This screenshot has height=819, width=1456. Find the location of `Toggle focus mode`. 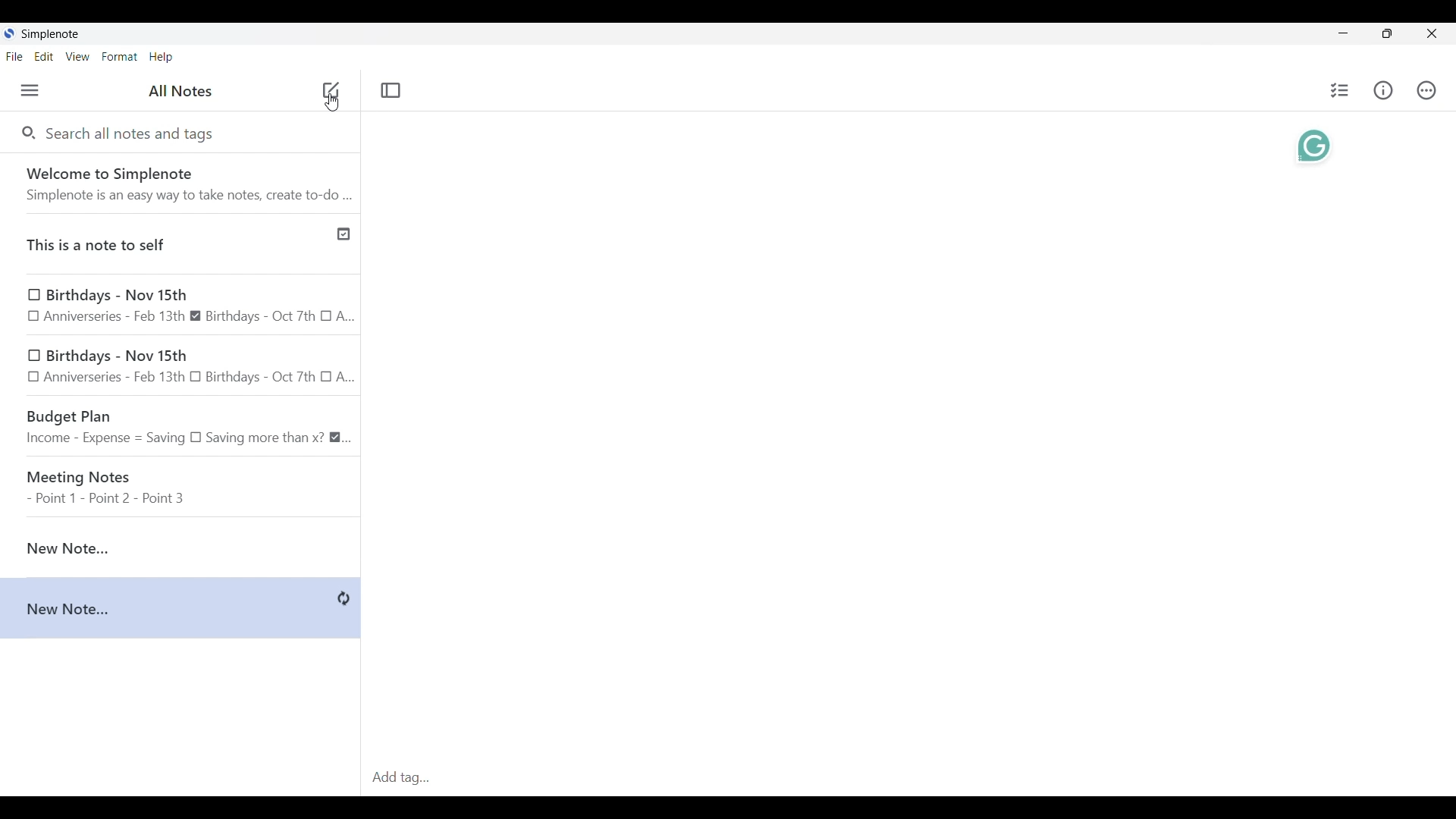

Toggle focus mode is located at coordinates (391, 90).